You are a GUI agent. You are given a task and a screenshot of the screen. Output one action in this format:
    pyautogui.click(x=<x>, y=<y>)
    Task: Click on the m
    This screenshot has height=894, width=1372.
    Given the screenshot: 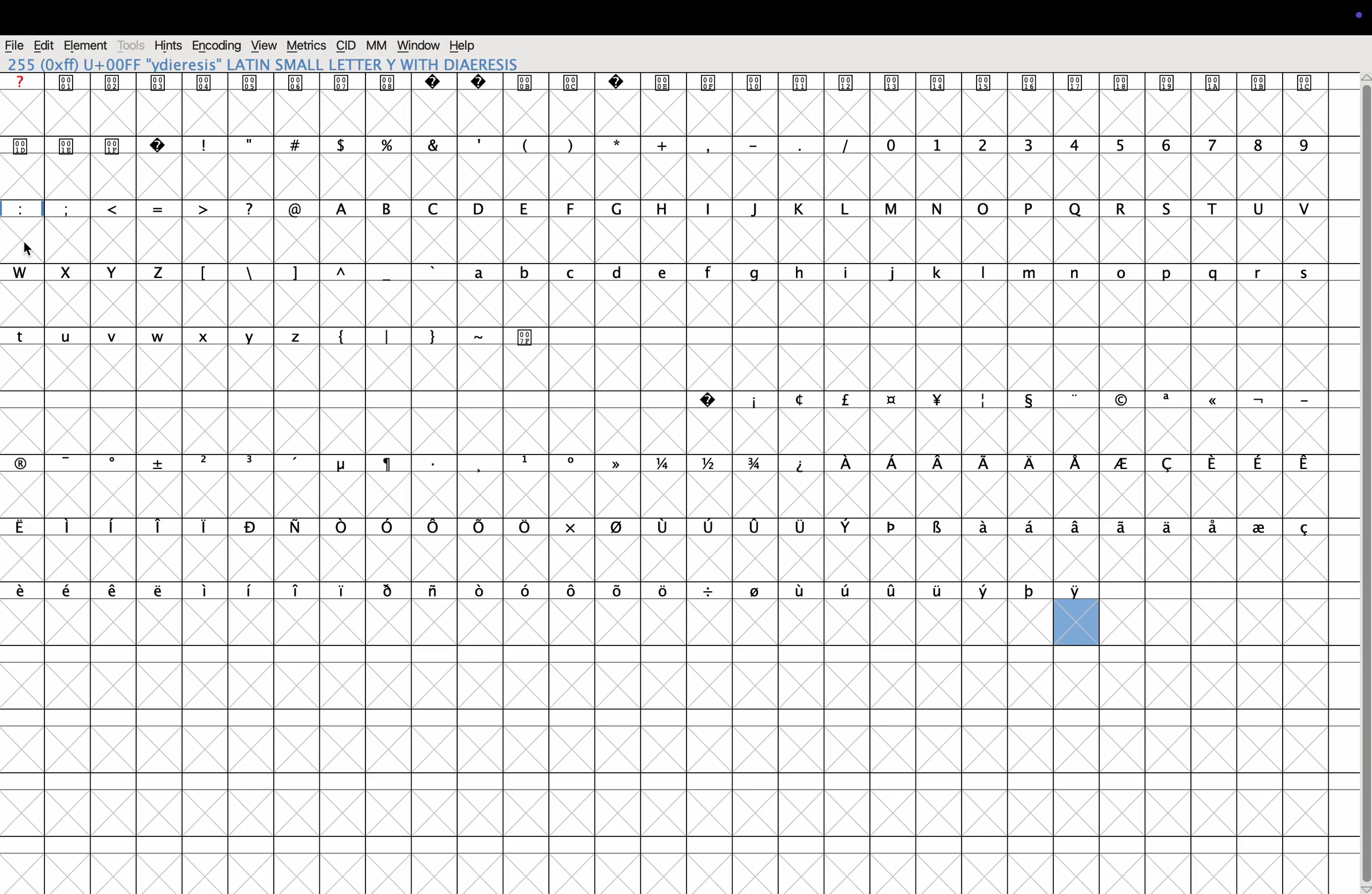 What is the action you would take?
    pyautogui.click(x=1032, y=298)
    